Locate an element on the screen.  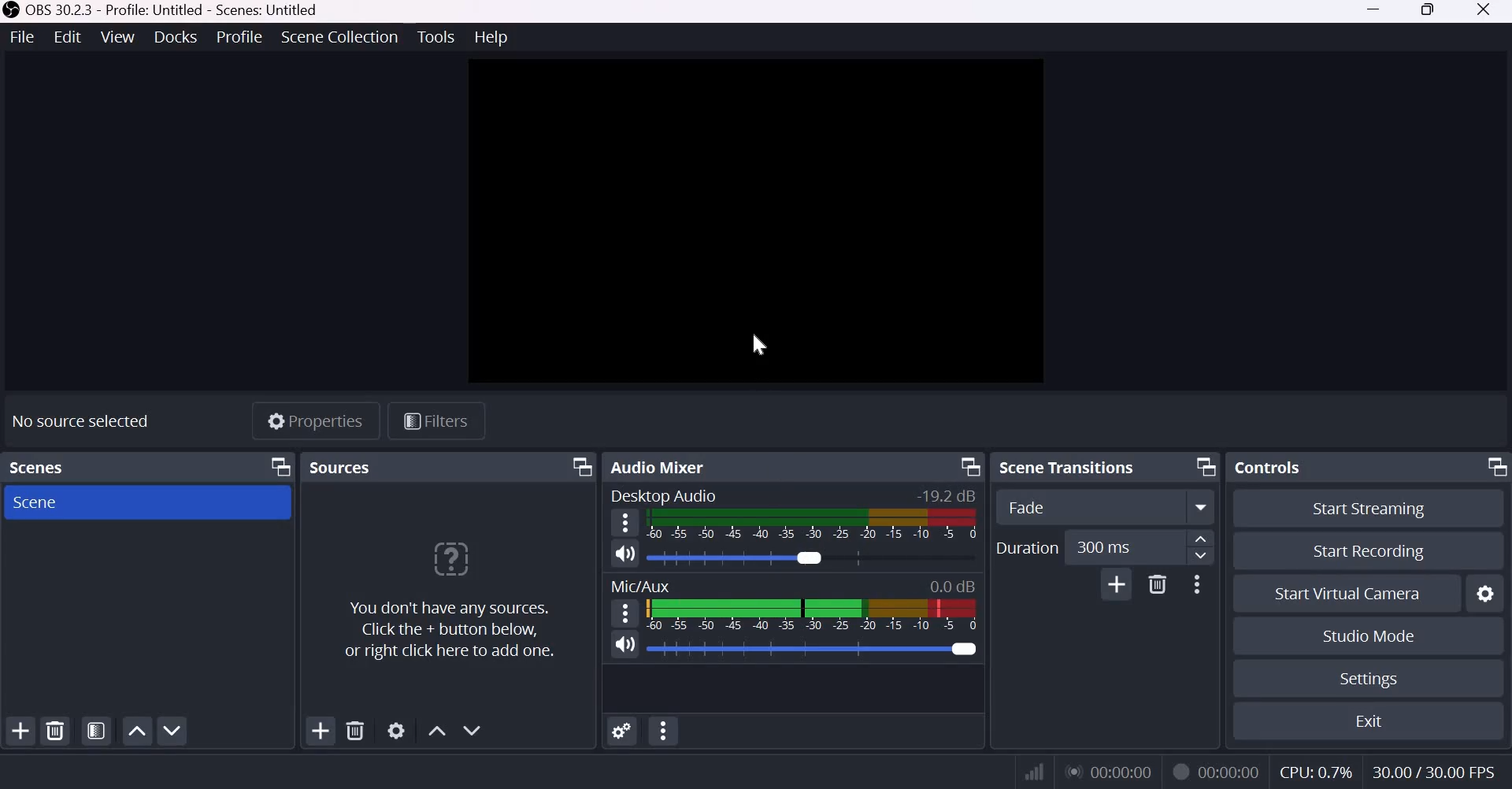
cursor is located at coordinates (765, 345).